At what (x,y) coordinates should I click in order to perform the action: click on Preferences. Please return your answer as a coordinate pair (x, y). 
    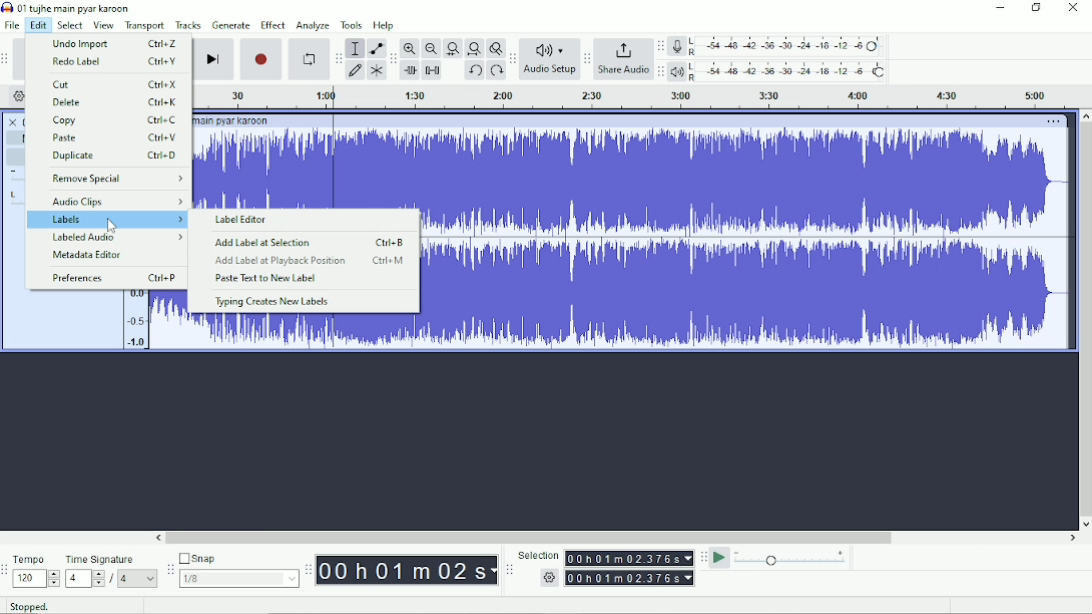
    Looking at the image, I should click on (113, 278).